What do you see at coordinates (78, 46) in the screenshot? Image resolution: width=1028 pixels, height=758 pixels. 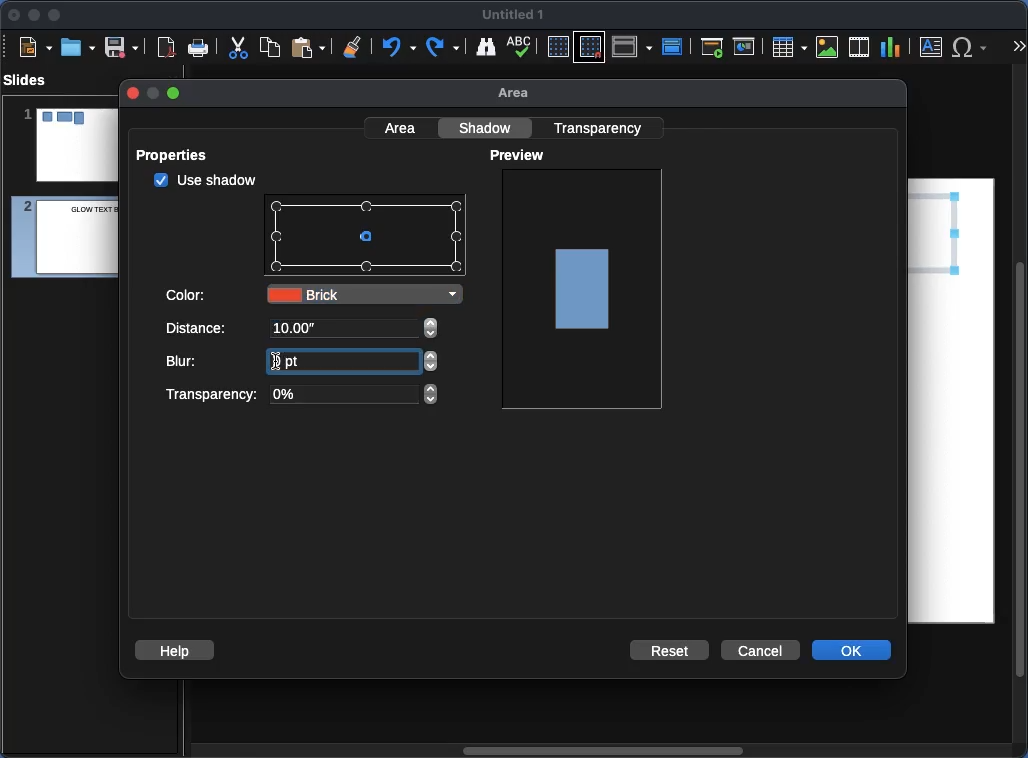 I see `Ope` at bounding box center [78, 46].